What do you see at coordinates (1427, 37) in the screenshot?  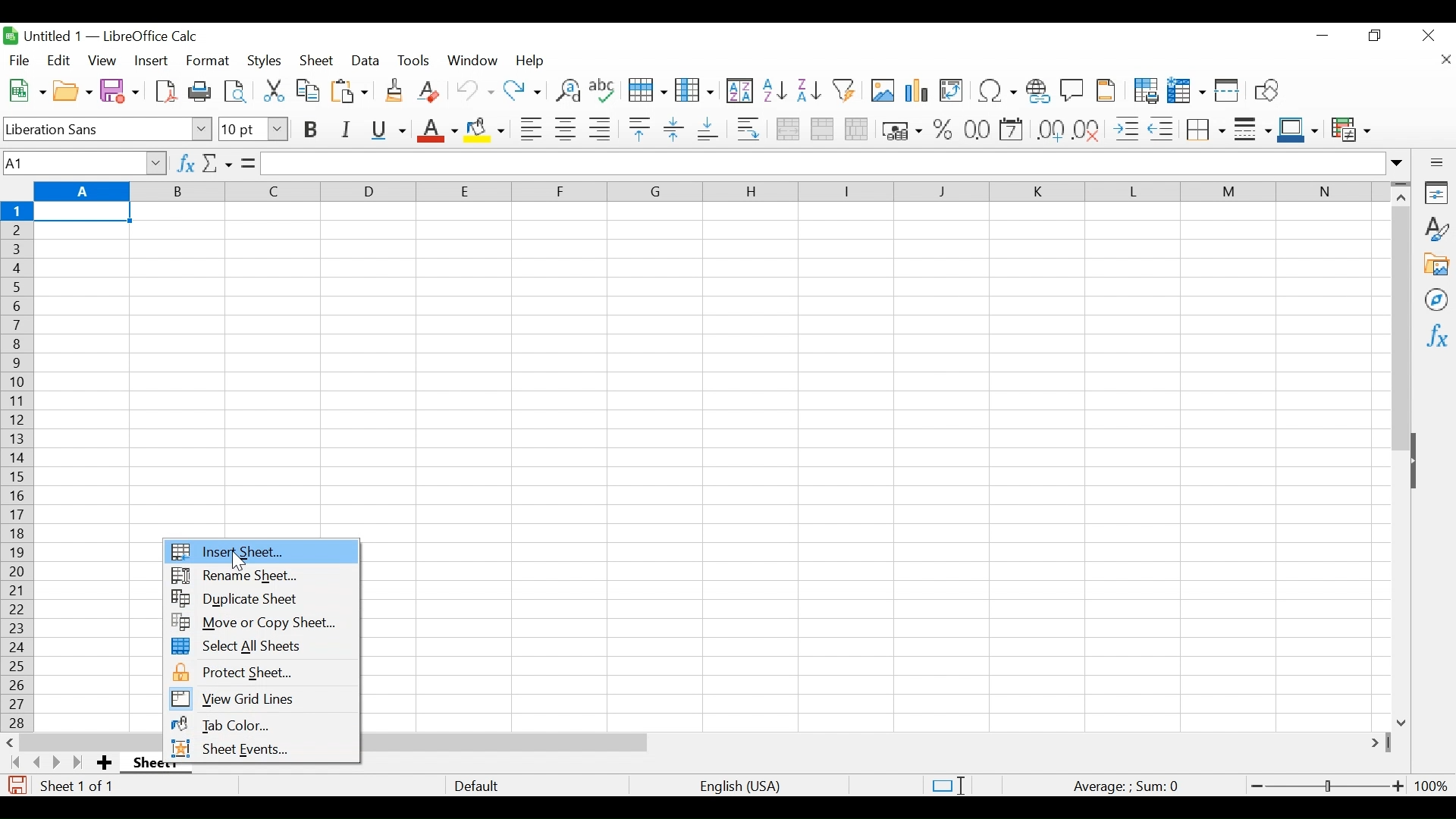 I see `Close` at bounding box center [1427, 37].